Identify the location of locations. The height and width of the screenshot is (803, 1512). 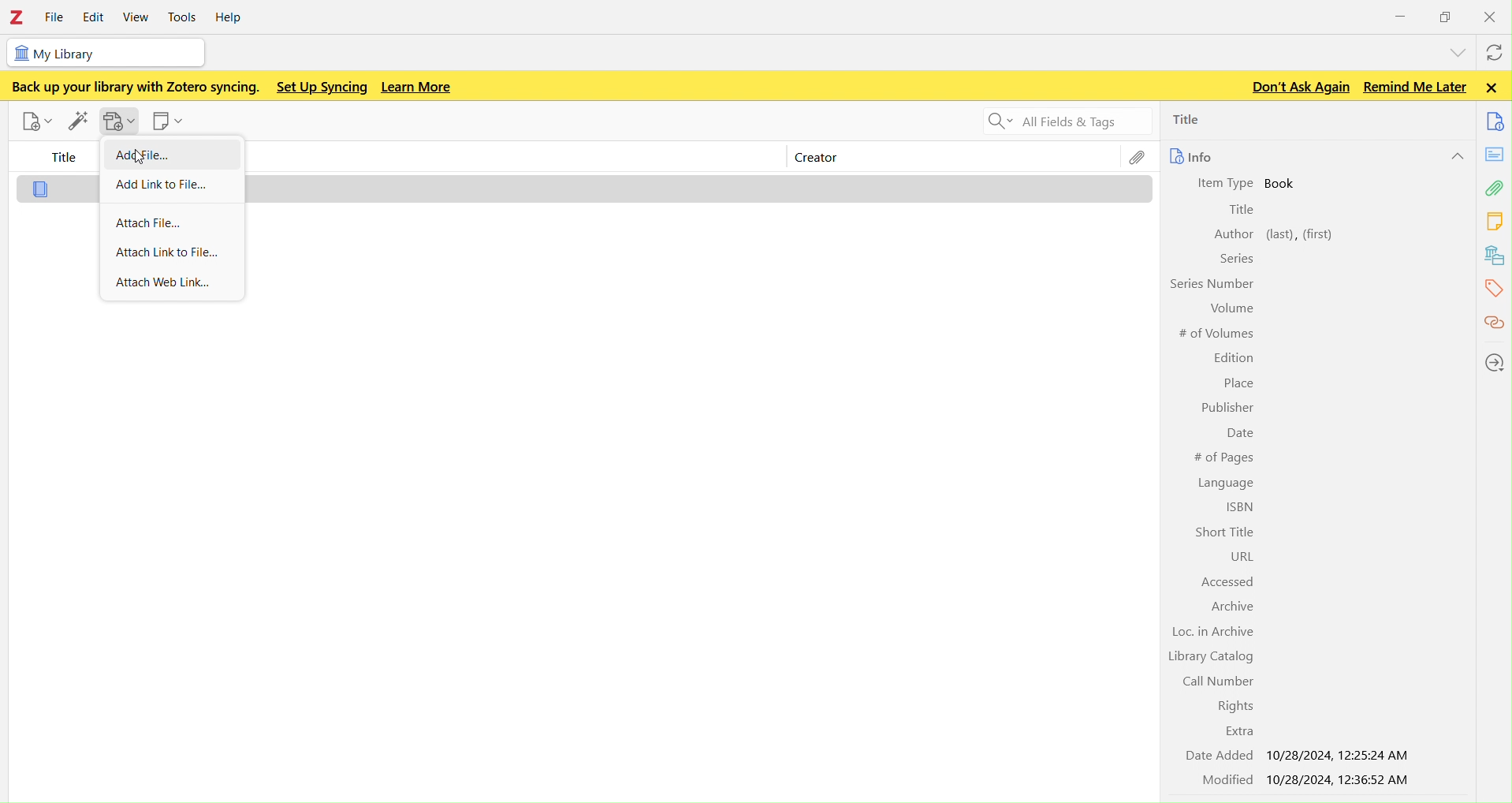
(1493, 364).